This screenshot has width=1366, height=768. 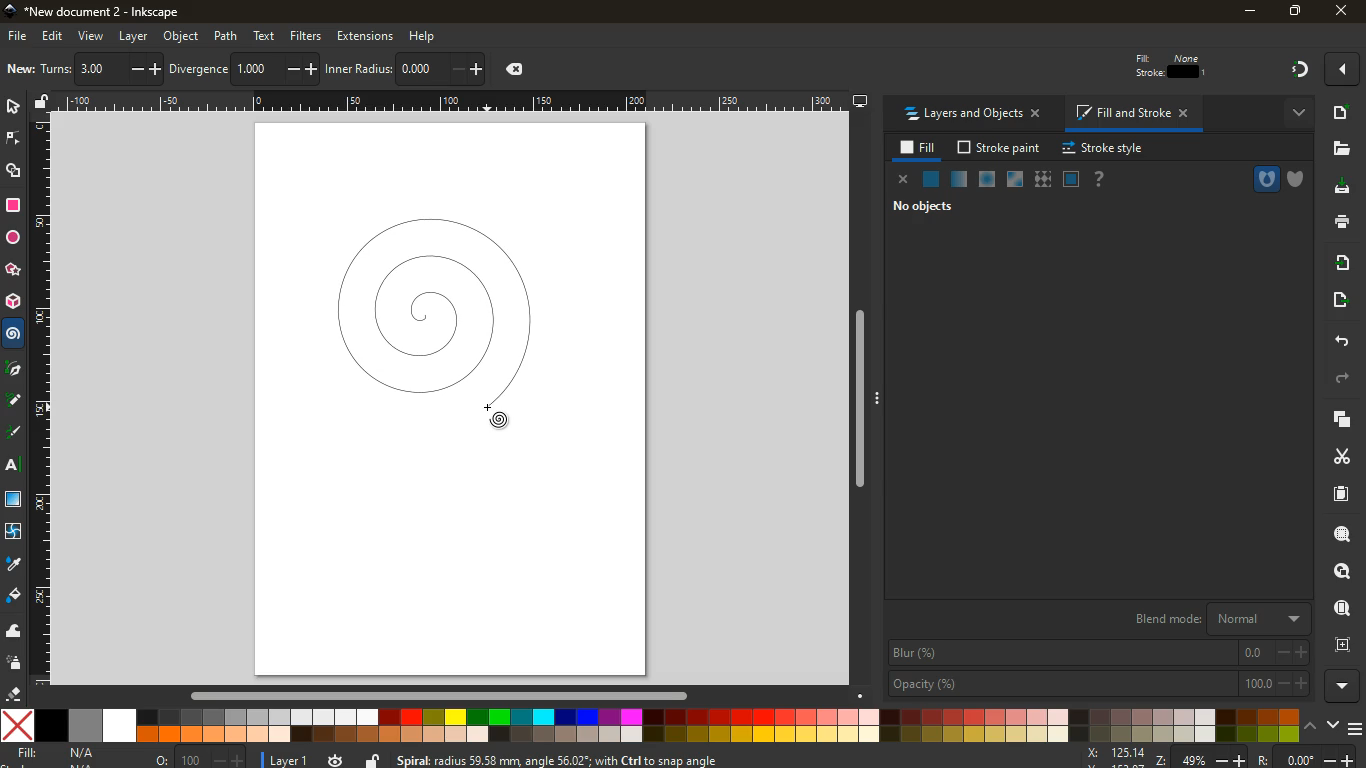 What do you see at coordinates (432, 321) in the screenshot?
I see `spiral` at bounding box center [432, 321].